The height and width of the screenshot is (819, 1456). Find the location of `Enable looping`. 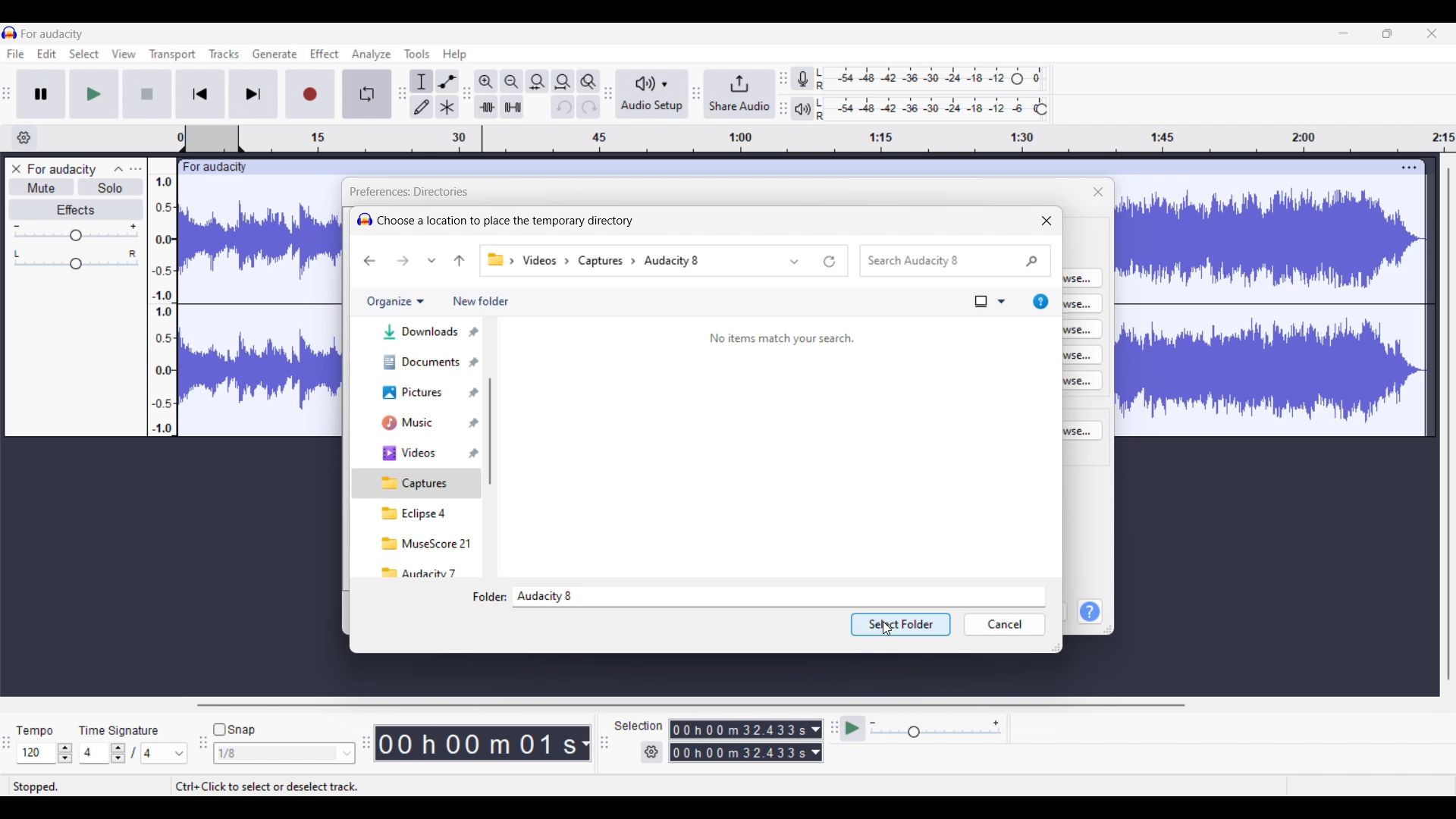

Enable looping is located at coordinates (367, 93).